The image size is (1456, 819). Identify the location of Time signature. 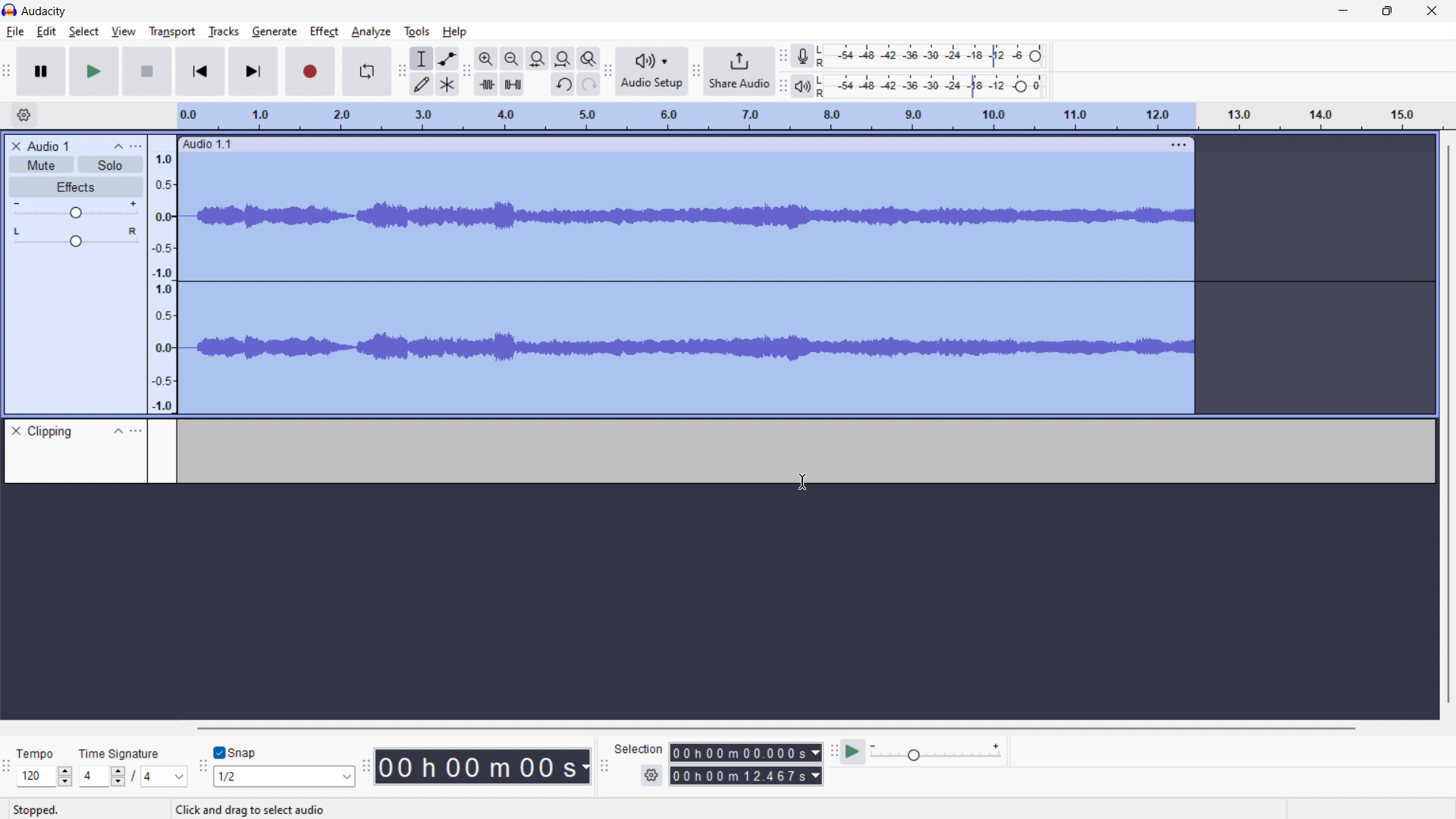
(121, 755).